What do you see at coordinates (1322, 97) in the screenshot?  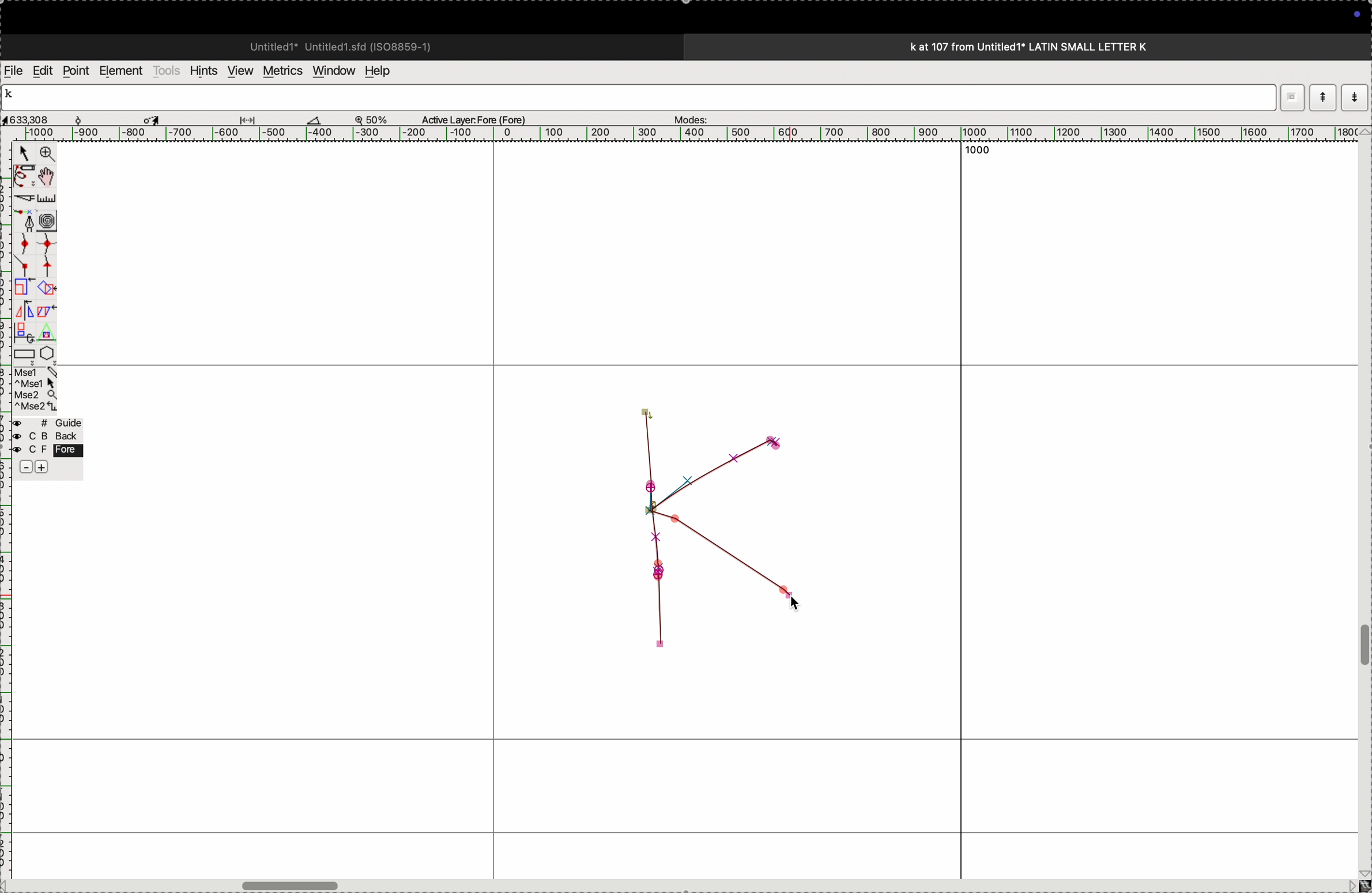 I see `modeup` at bounding box center [1322, 97].